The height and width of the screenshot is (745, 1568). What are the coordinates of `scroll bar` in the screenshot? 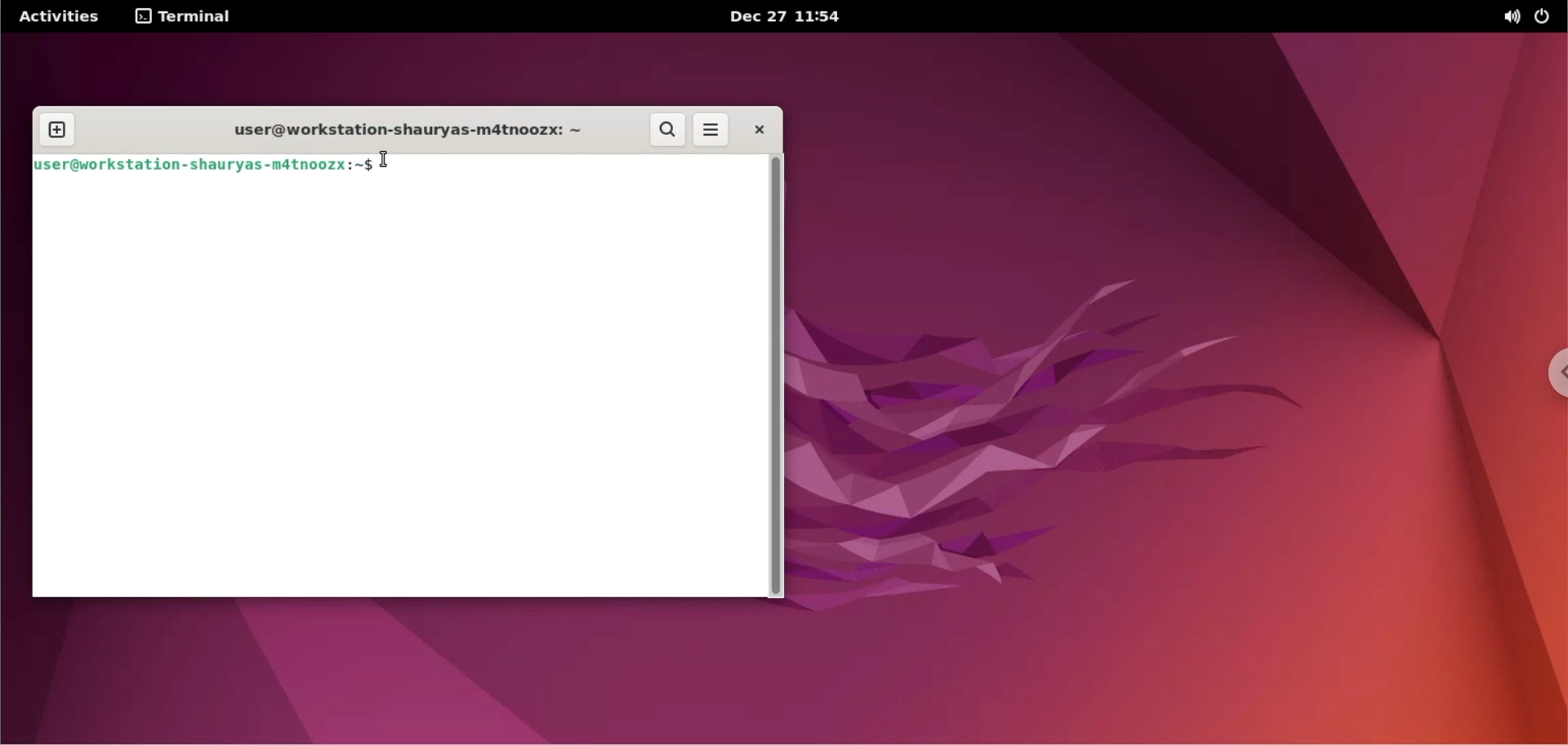 It's located at (777, 377).